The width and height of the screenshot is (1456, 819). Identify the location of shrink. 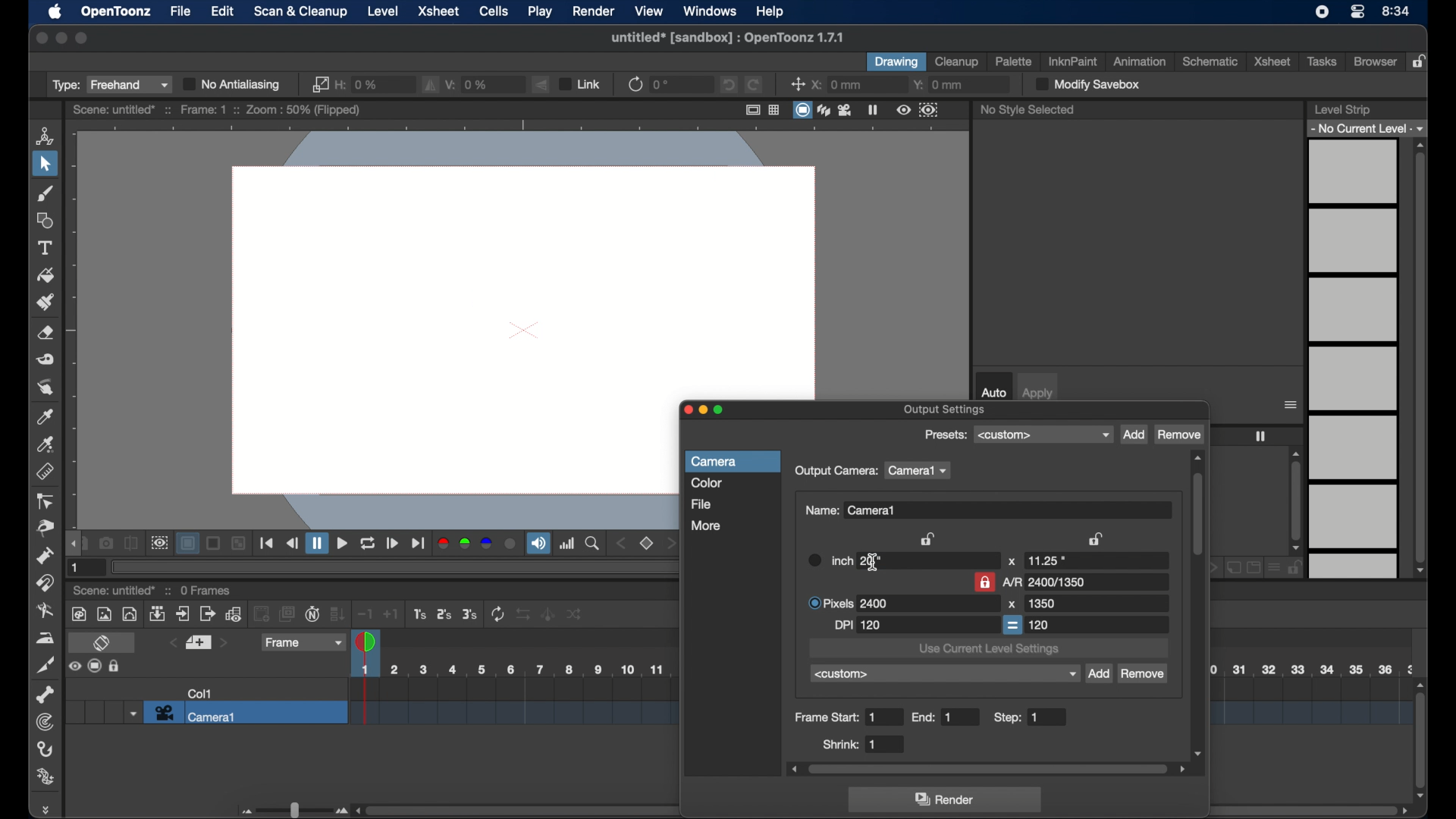
(851, 744).